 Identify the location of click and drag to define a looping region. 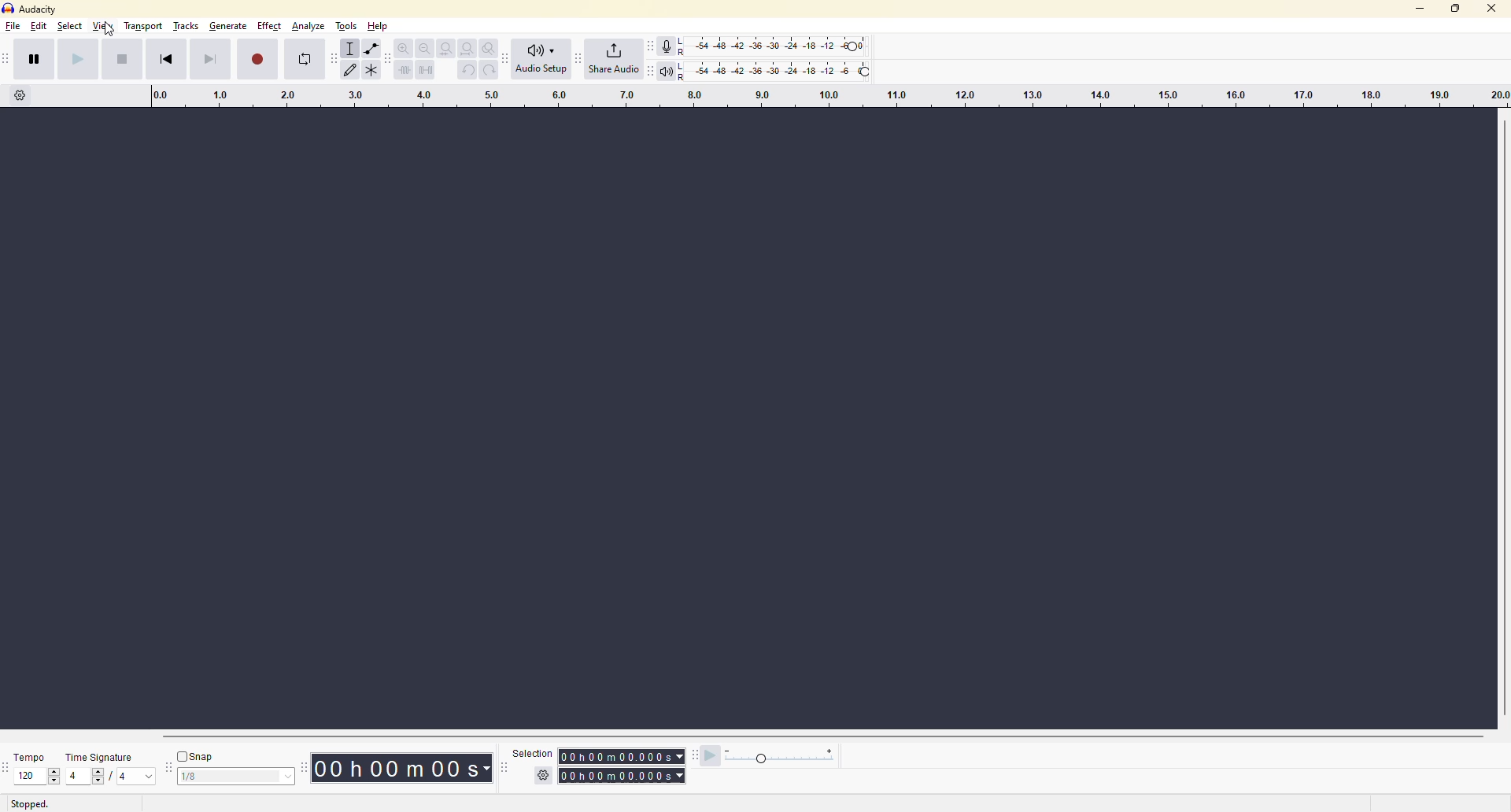
(828, 96).